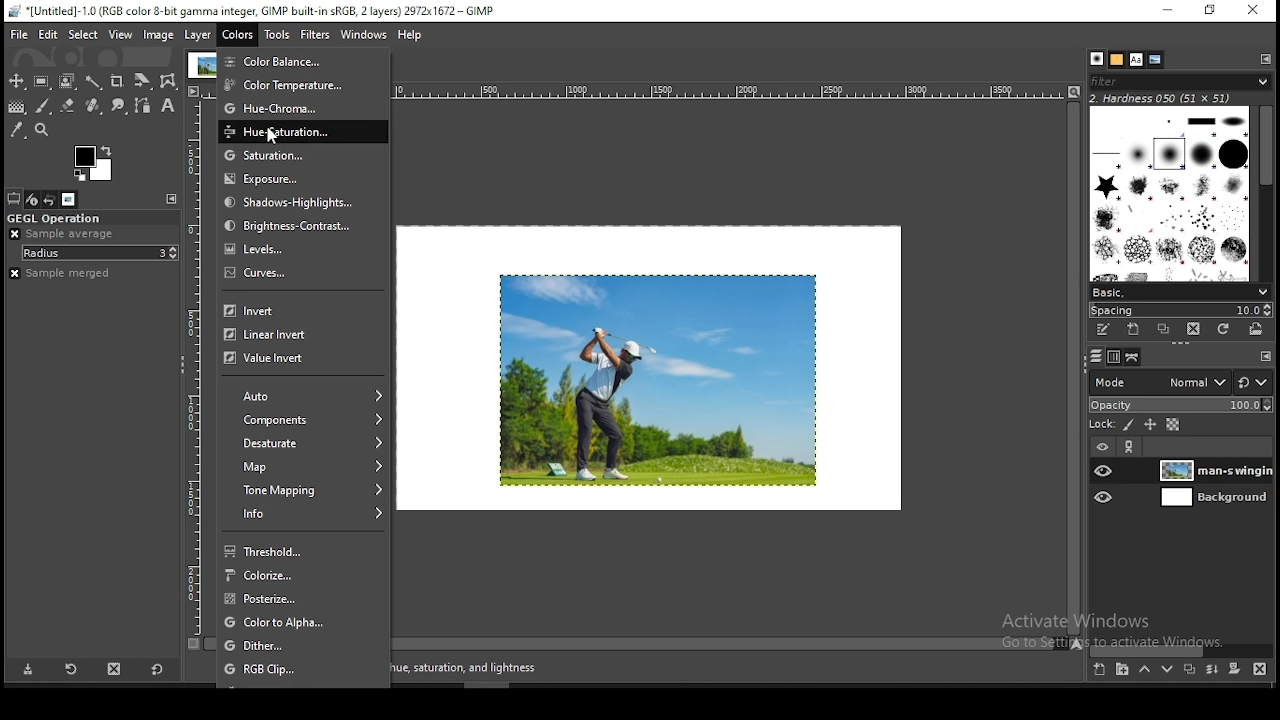 The width and height of the screenshot is (1280, 720). Describe the element at coordinates (1146, 670) in the screenshot. I see `move layer on step up` at that location.